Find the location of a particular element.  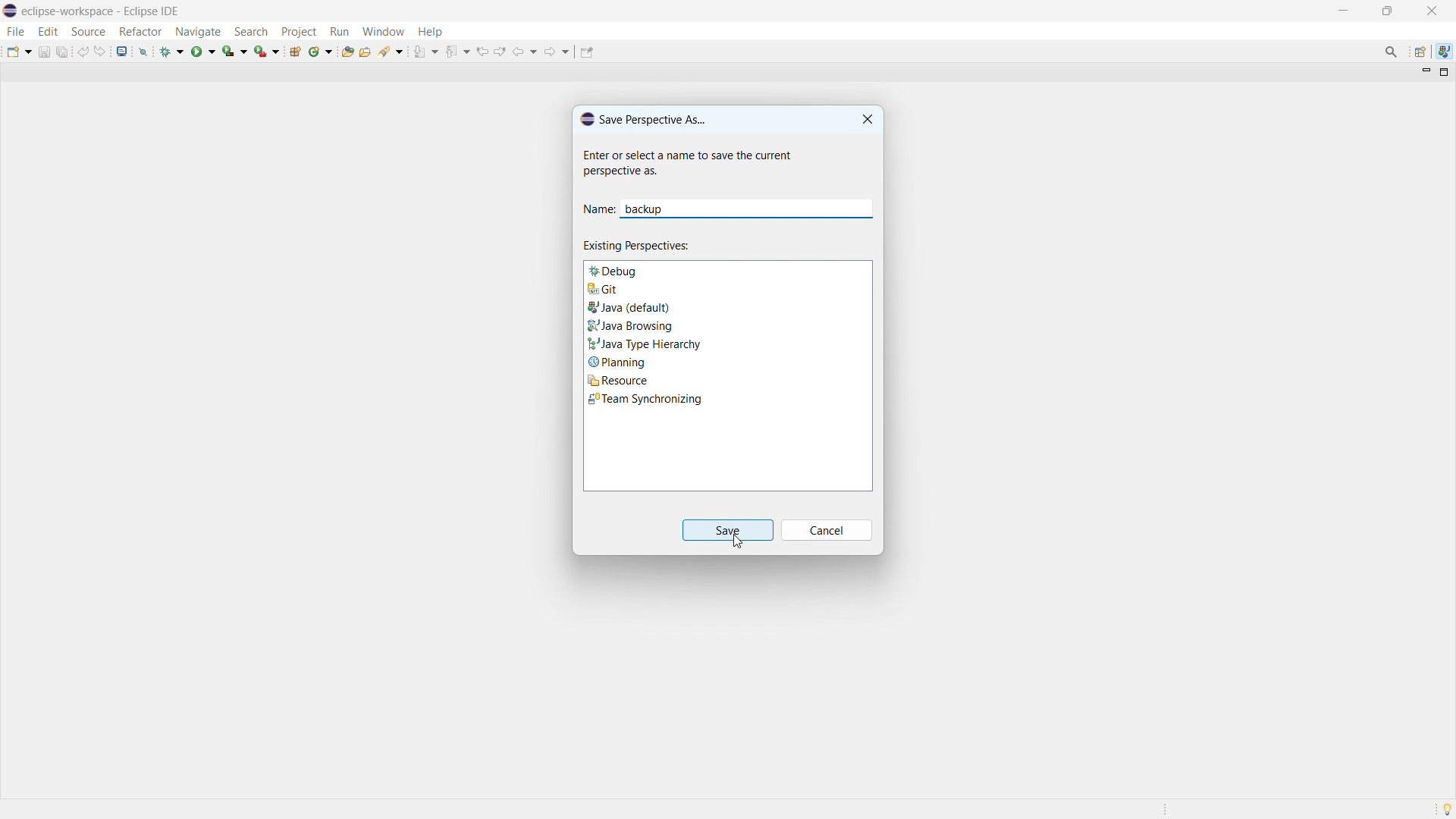

Java (default) is located at coordinates (727, 306).